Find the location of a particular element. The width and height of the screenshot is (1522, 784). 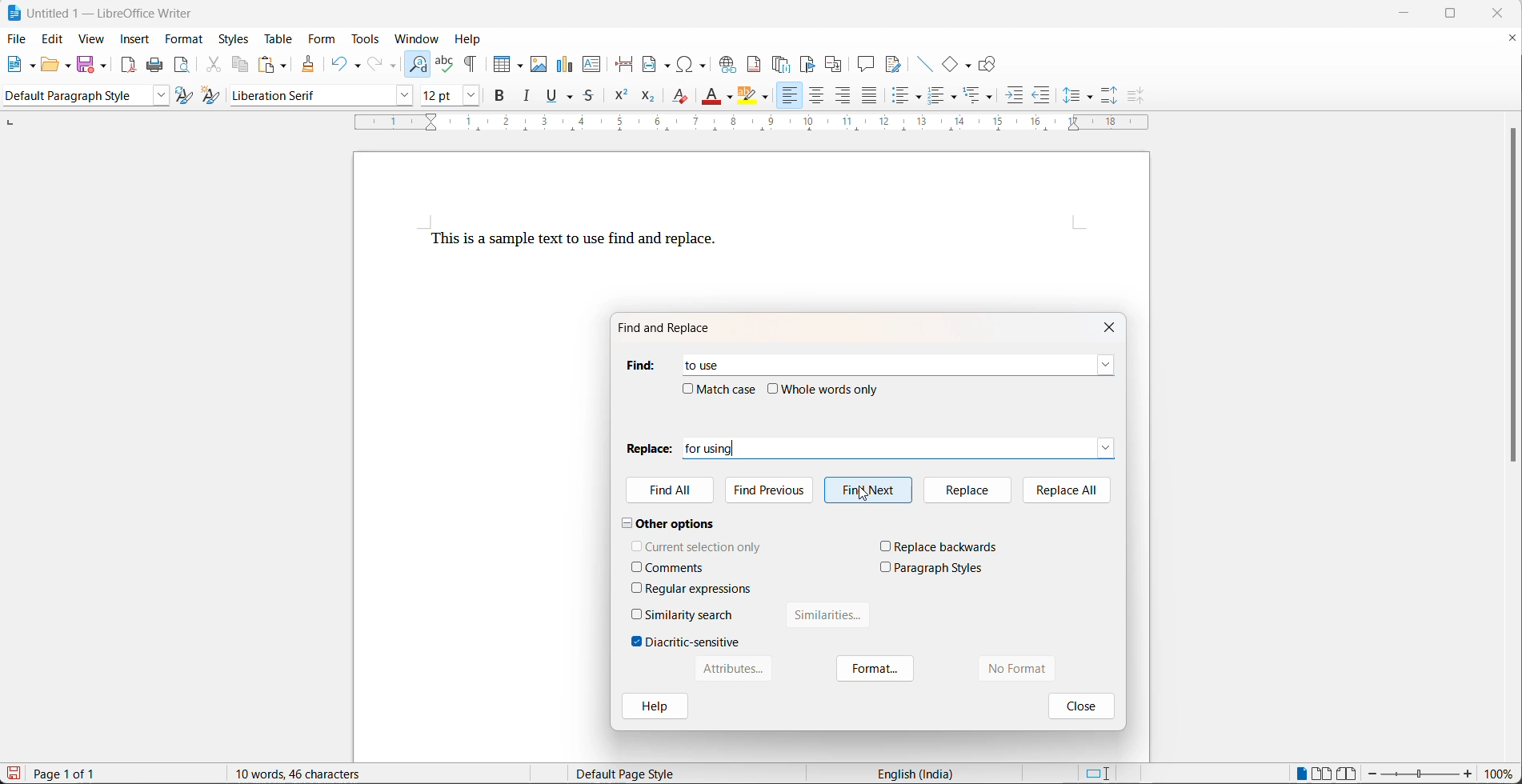

italic is located at coordinates (530, 98).